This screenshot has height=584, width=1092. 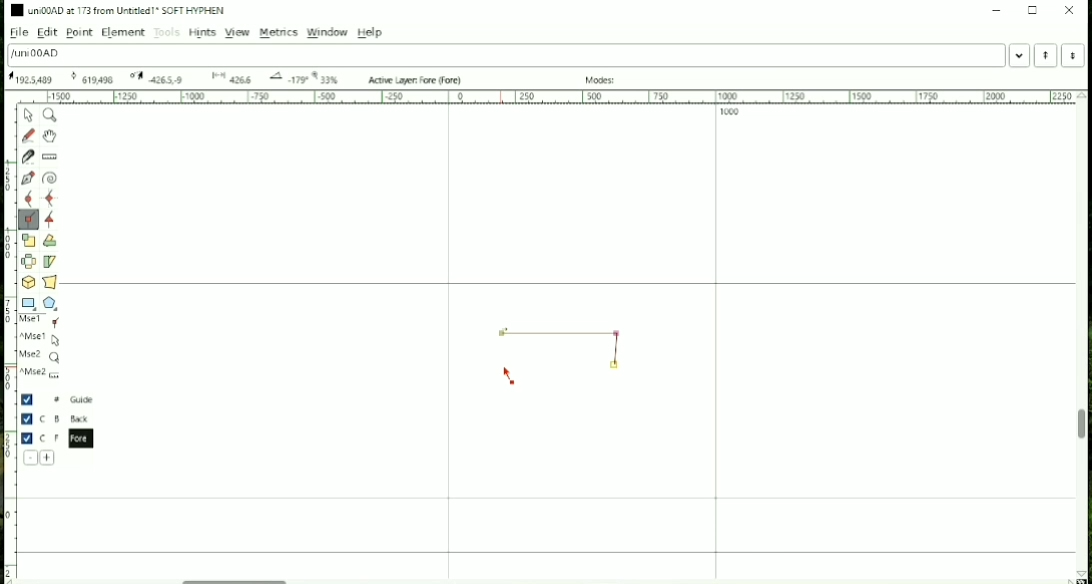 I want to click on 173 Oxad U+00AD "uni00AD" SOFT HYPHEN, so click(x=1078, y=572).